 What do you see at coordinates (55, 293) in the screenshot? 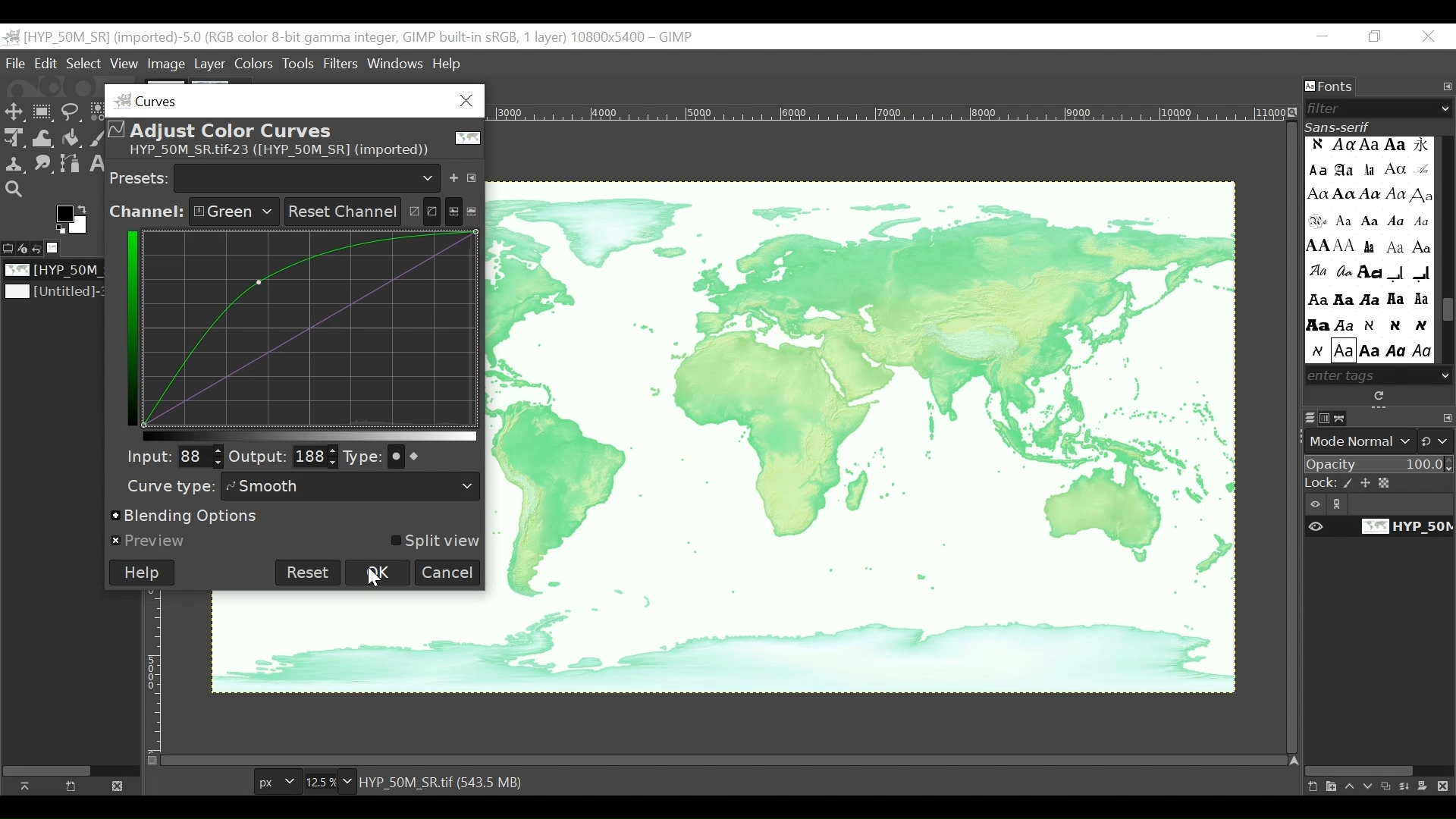
I see `Image` at bounding box center [55, 293].